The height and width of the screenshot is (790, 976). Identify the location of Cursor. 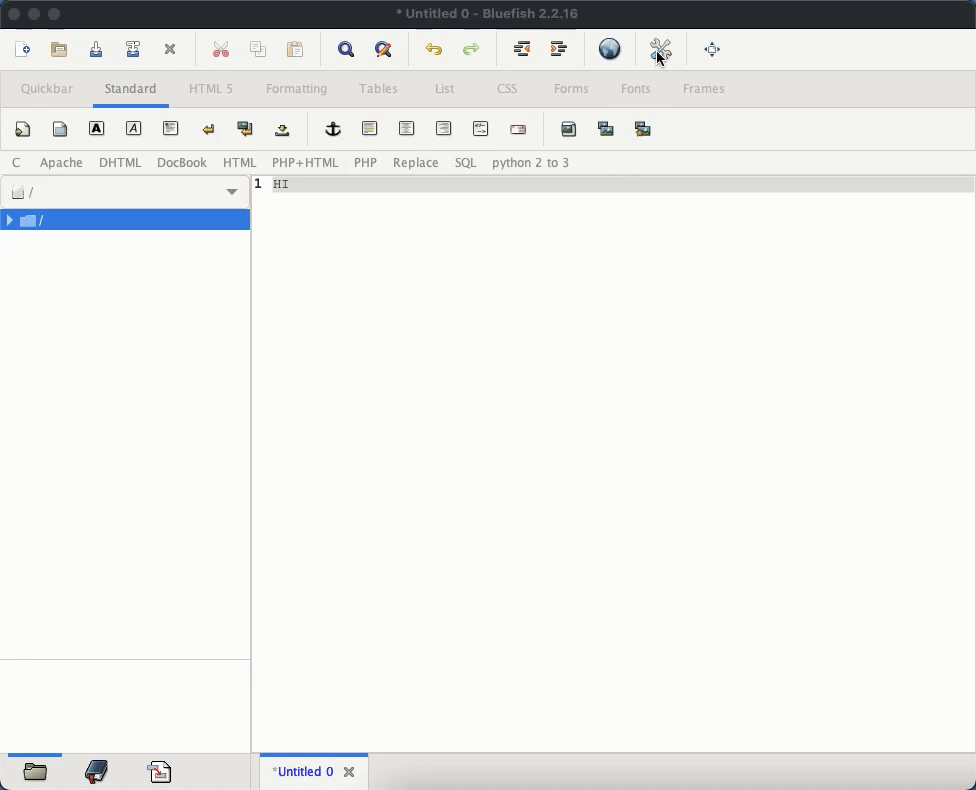
(661, 61).